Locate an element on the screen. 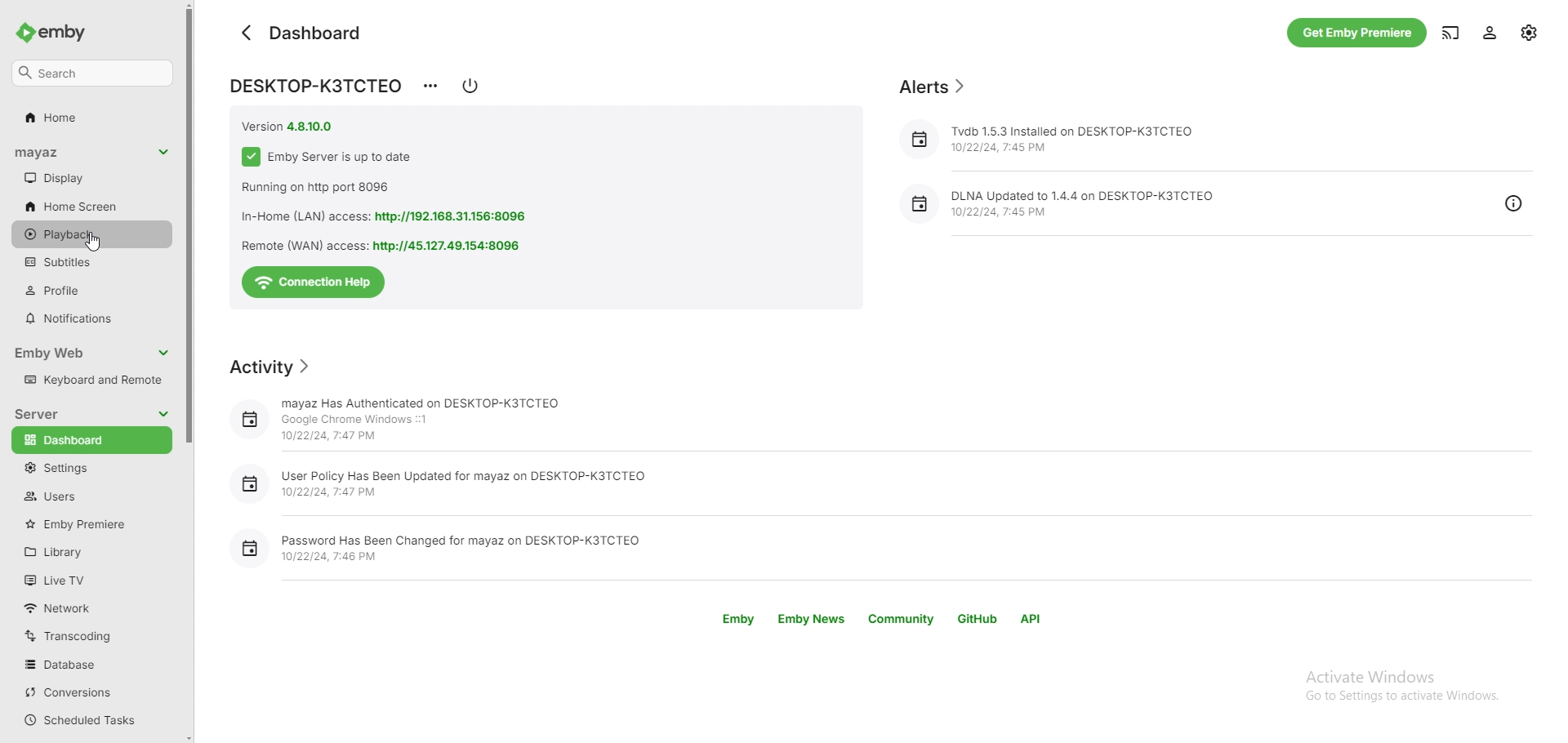 Image resolution: width=1568 pixels, height=743 pixels. notifications is located at coordinates (89, 318).